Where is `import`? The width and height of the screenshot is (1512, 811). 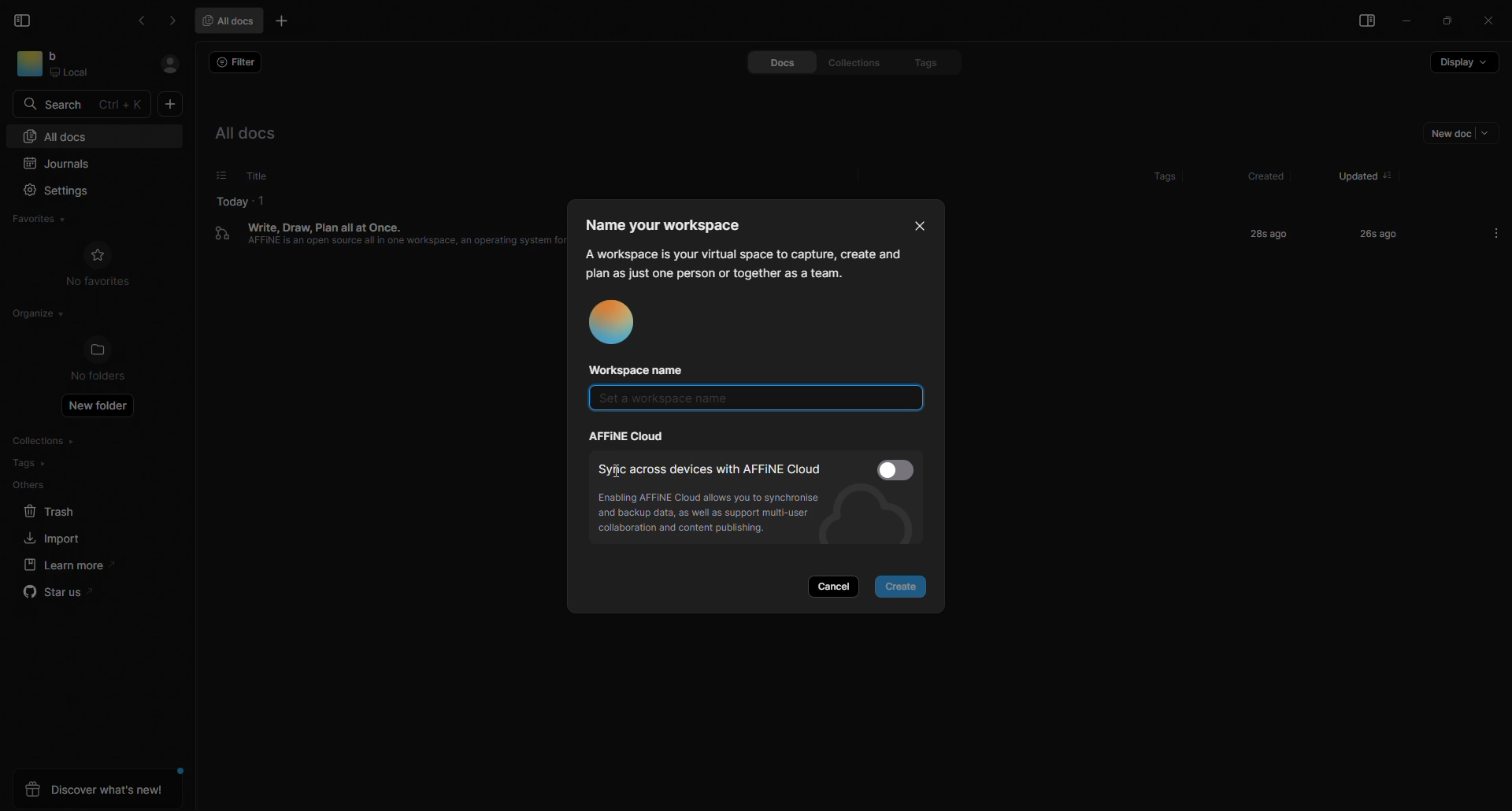
import is located at coordinates (48, 538).